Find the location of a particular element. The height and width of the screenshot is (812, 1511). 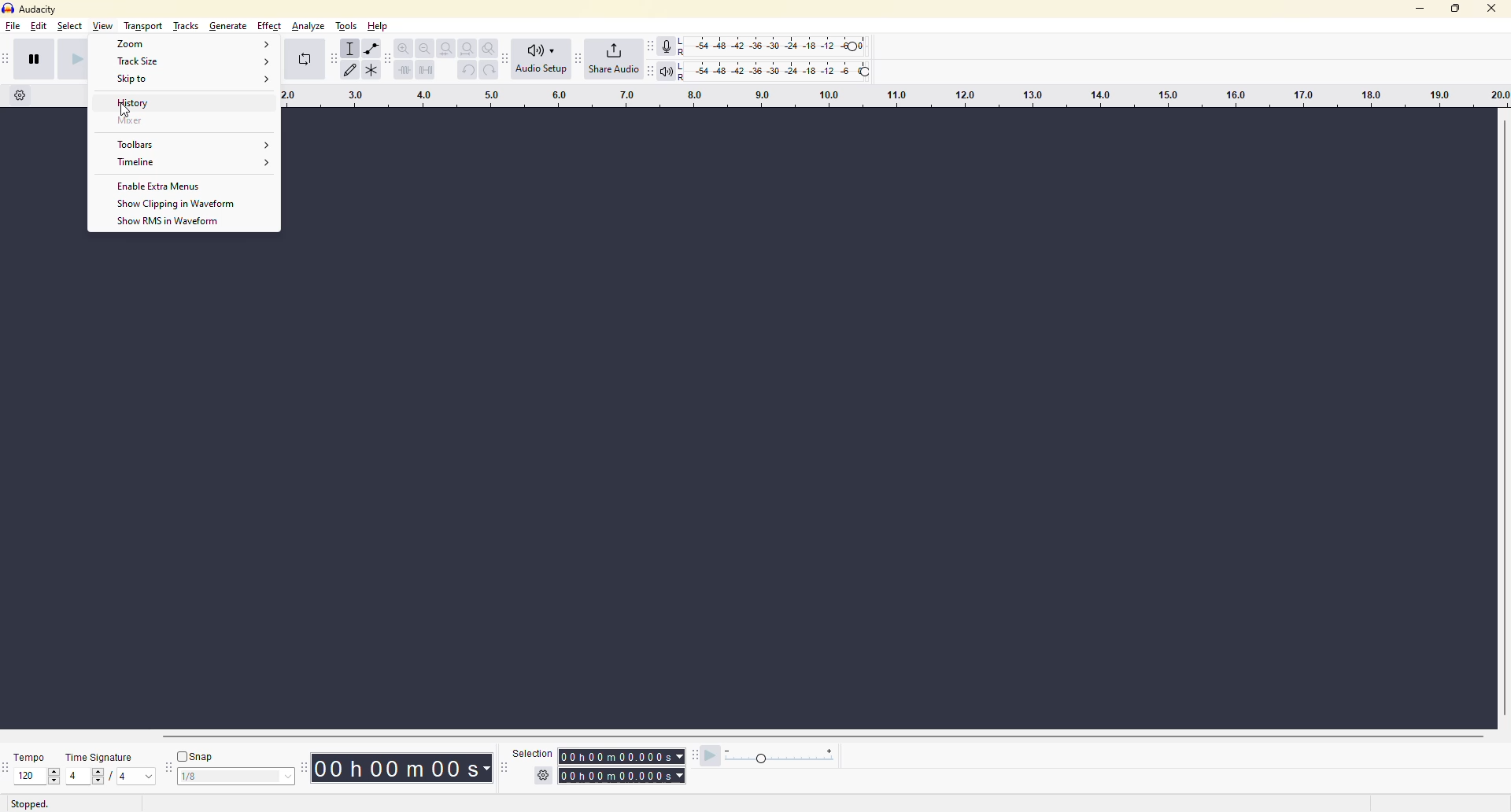

undo is located at coordinates (466, 71).